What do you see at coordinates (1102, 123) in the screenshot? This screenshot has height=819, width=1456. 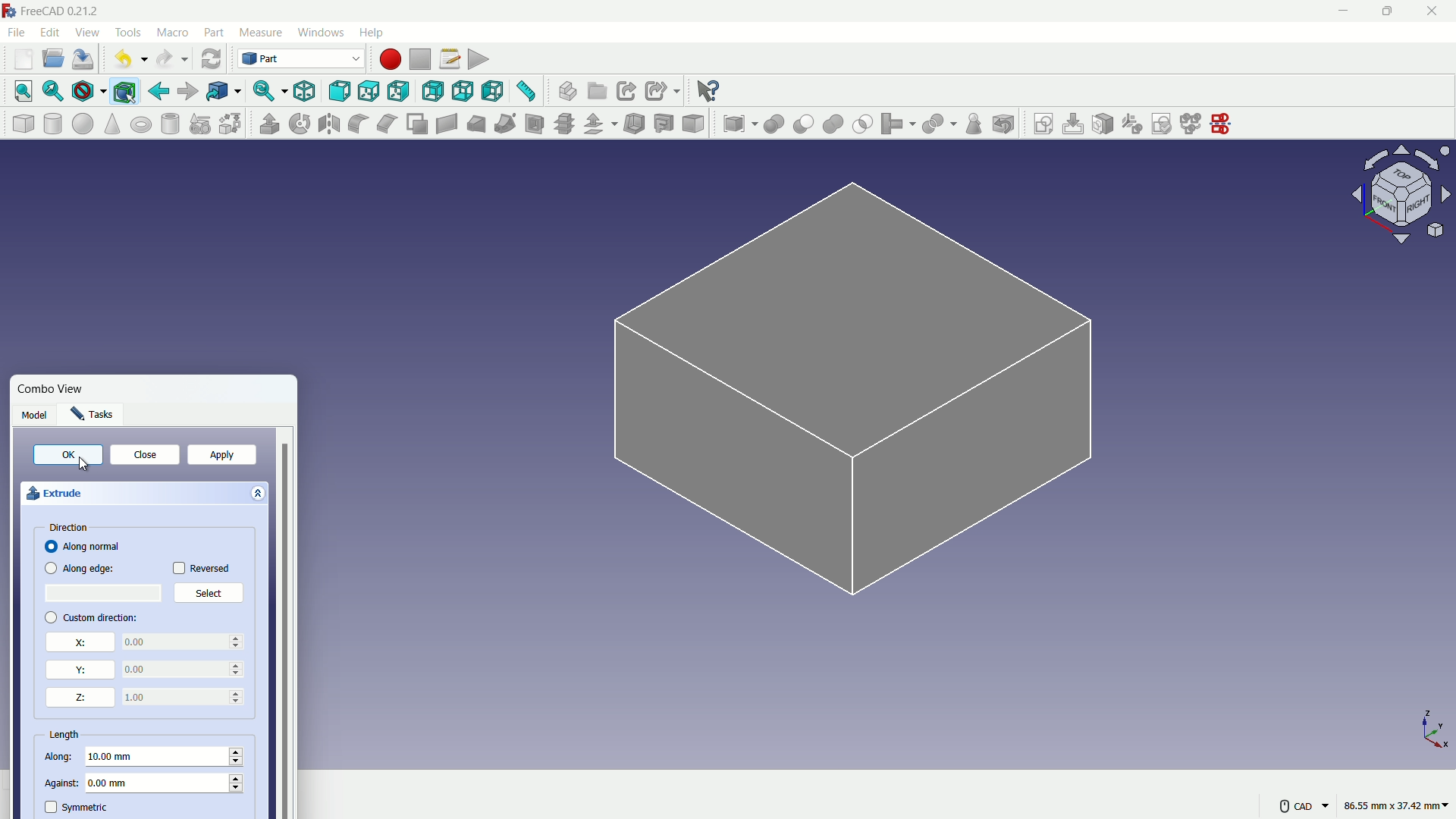 I see `map sketch to face` at bounding box center [1102, 123].